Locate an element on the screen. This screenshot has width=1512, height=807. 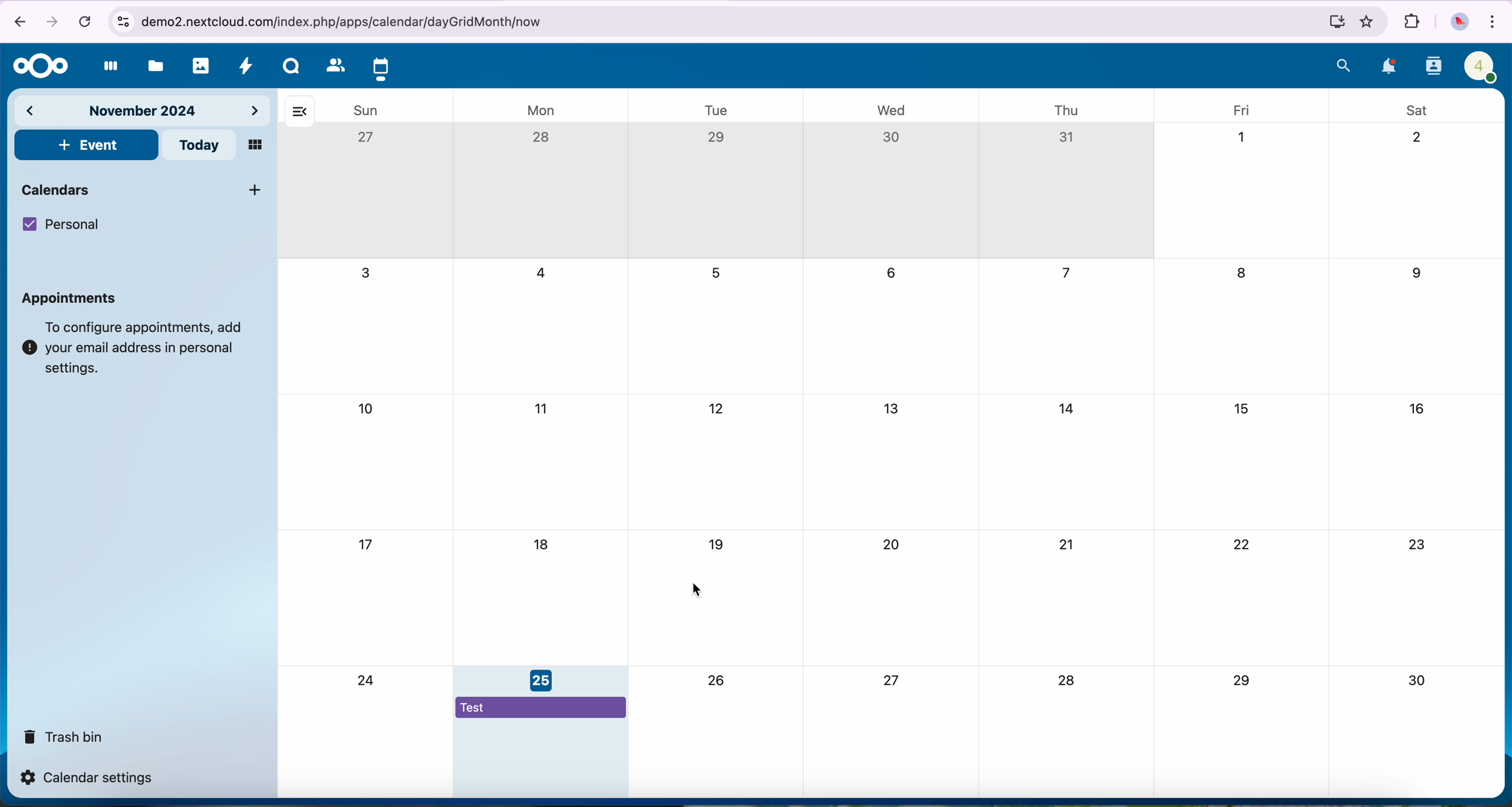
navigate foward is located at coordinates (50, 23).